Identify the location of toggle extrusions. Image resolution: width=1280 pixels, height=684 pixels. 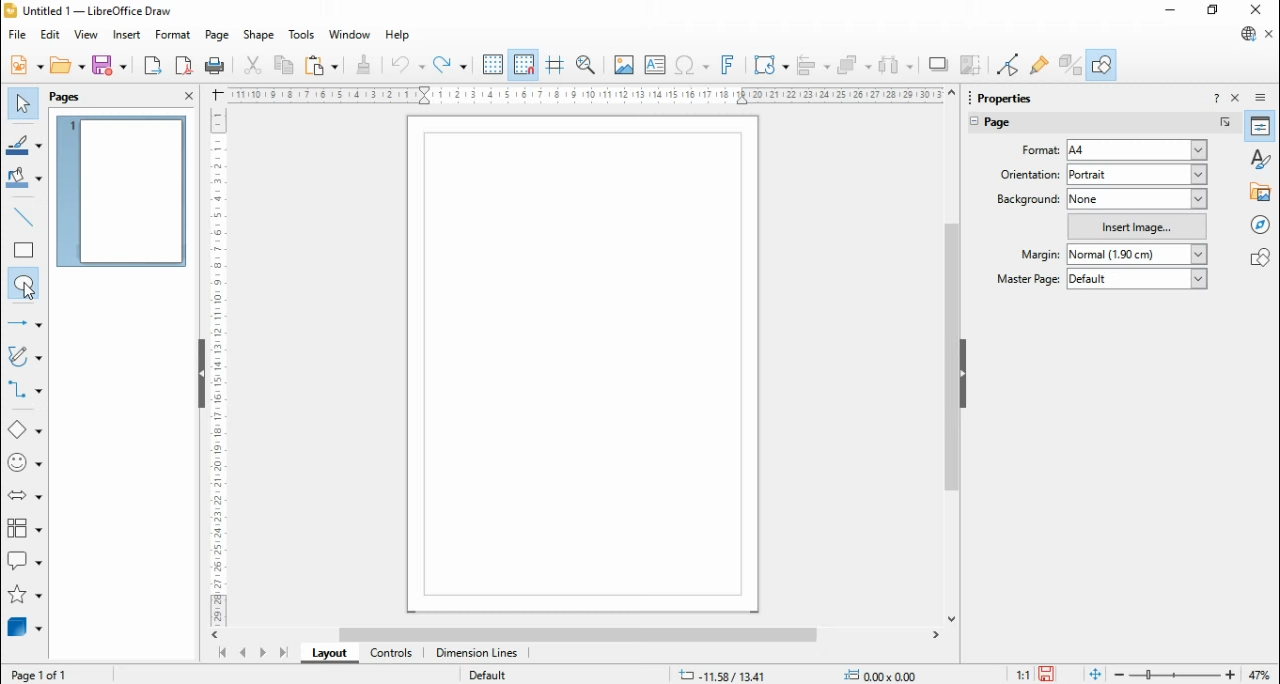
(1070, 64).